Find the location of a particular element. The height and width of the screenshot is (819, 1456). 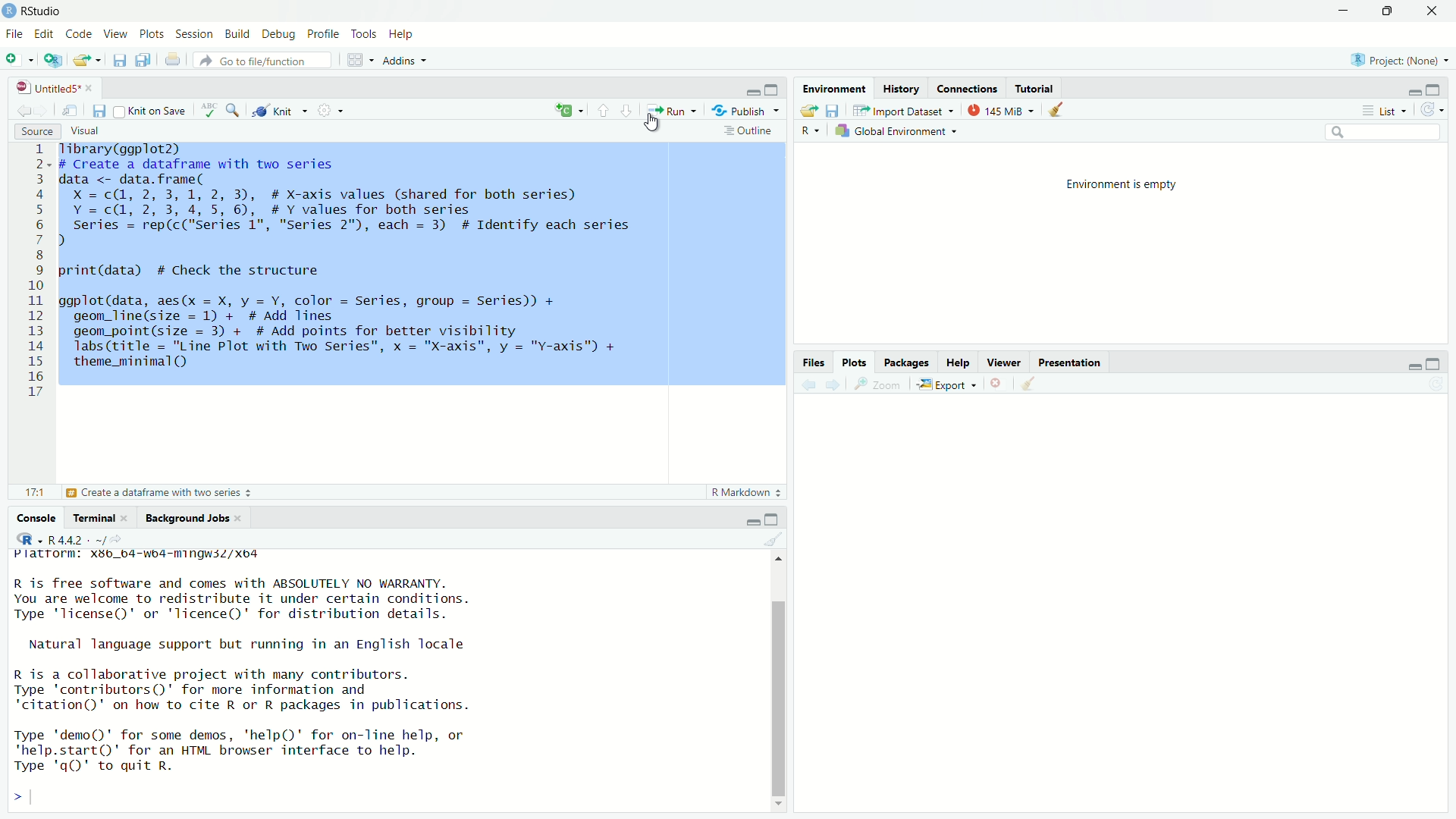

Create a dataframe with two series is located at coordinates (160, 493).